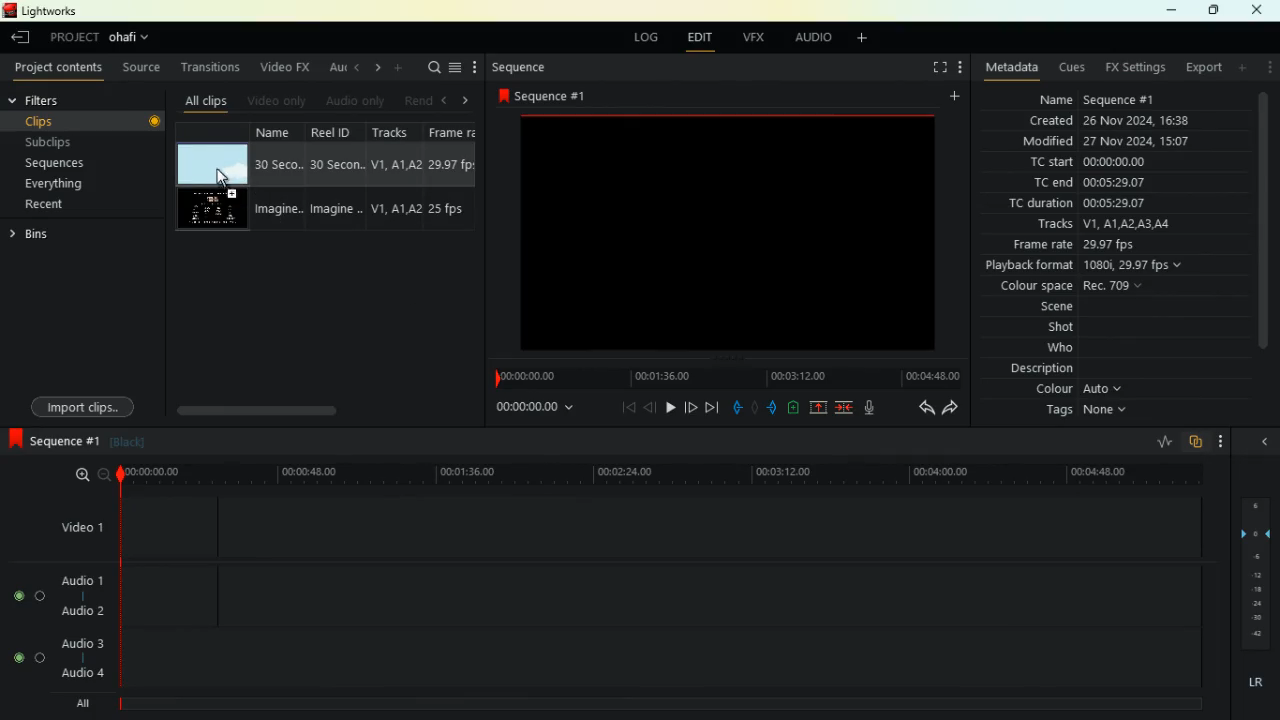 The width and height of the screenshot is (1280, 720). Describe the element at coordinates (51, 442) in the screenshot. I see `sequence` at that location.